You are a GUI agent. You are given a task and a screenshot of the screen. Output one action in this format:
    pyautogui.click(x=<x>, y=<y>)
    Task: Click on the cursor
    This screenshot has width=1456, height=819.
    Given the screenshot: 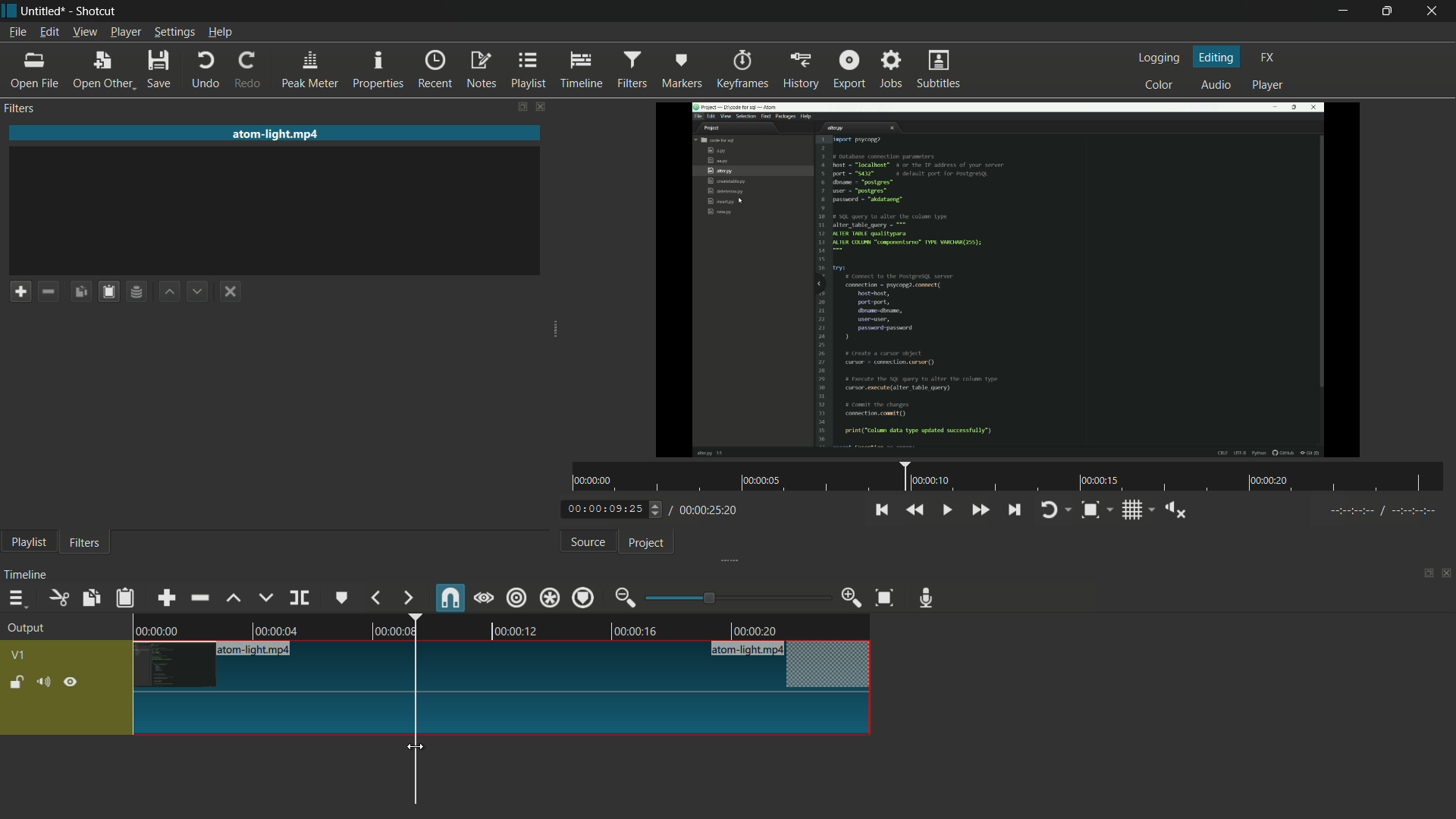 What is the action you would take?
    pyautogui.click(x=416, y=747)
    